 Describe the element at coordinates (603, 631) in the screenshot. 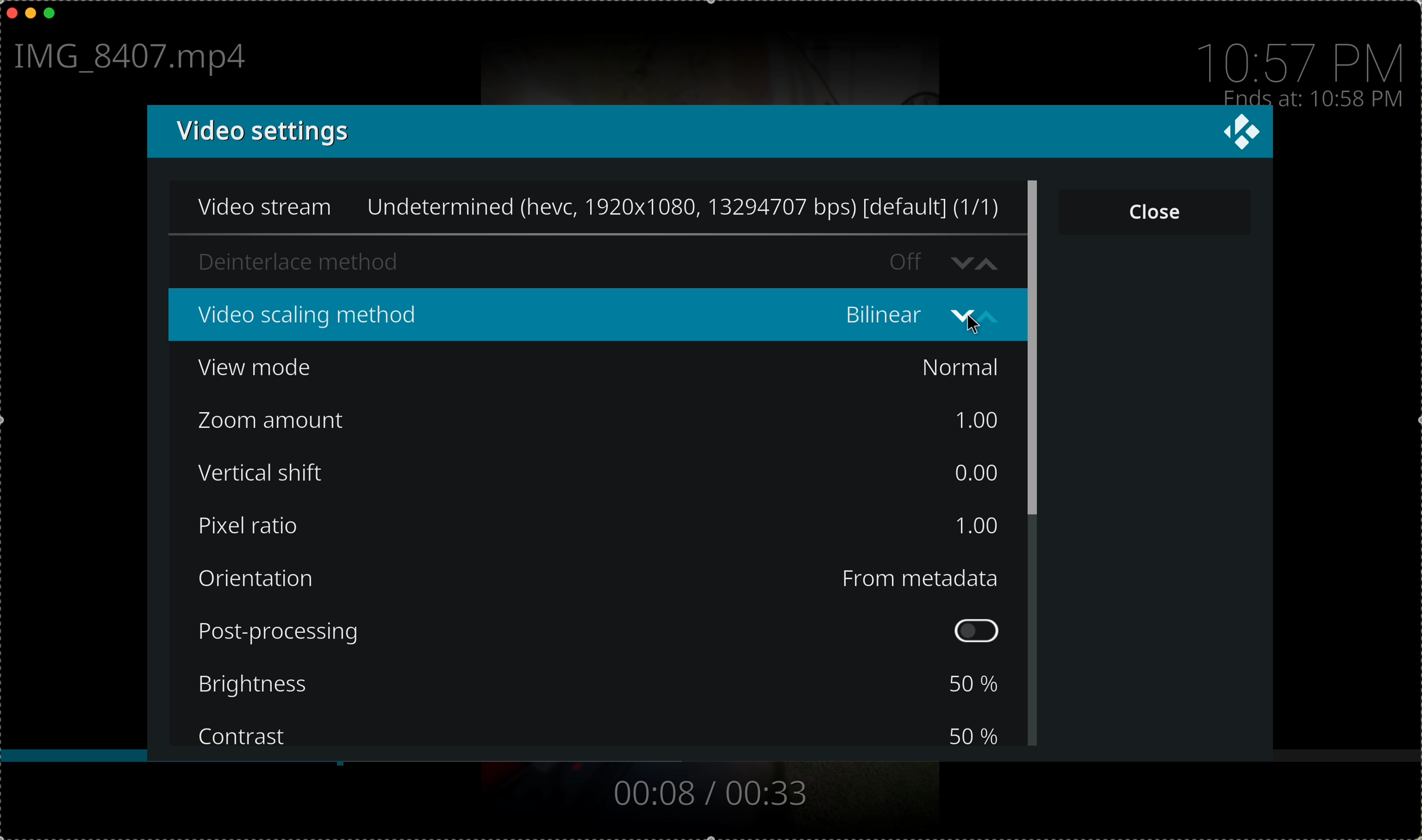

I see `post processing` at that location.